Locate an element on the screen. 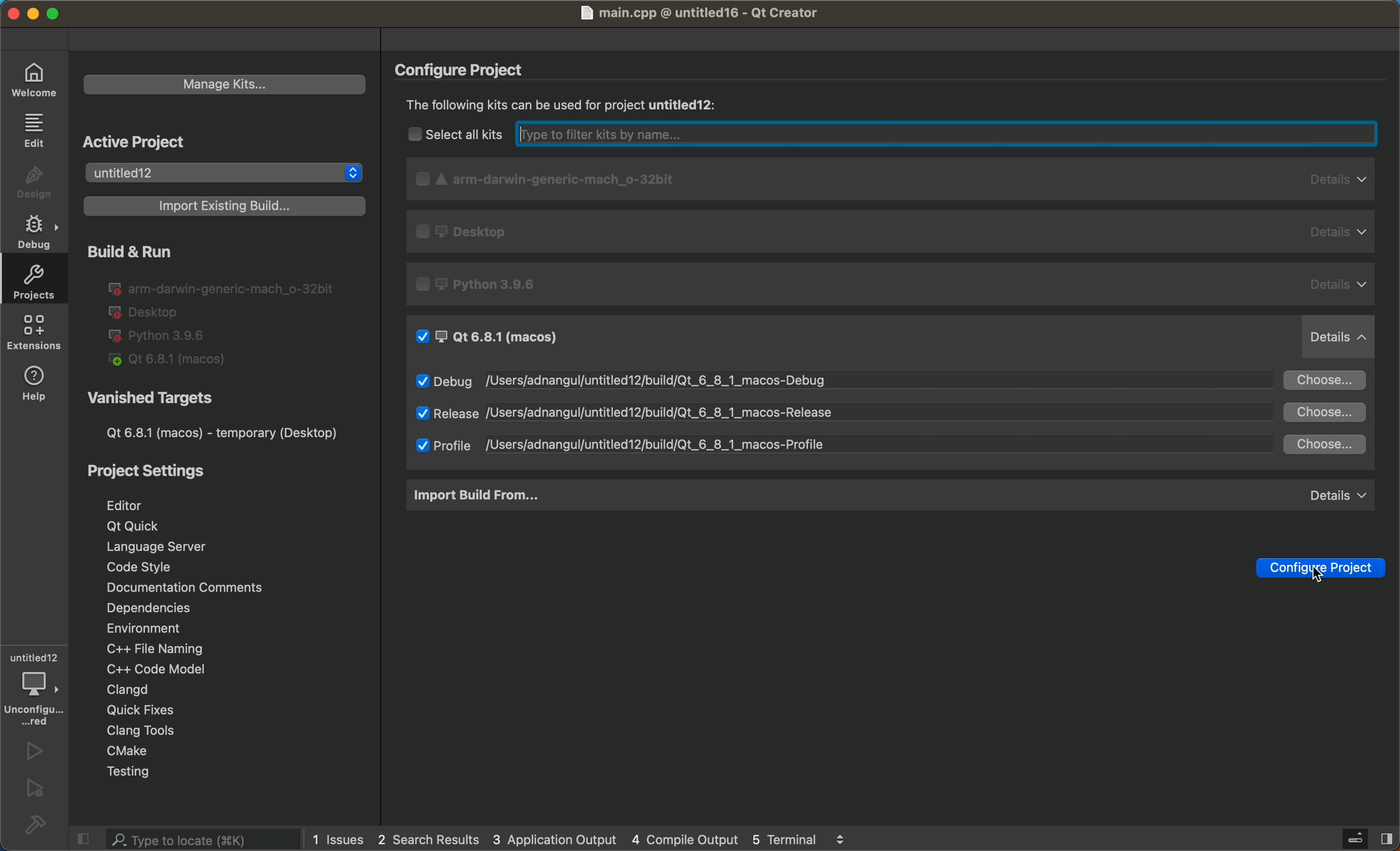 This screenshot has height=851, width=1400. default configuration  is located at coordinates (894, 281).